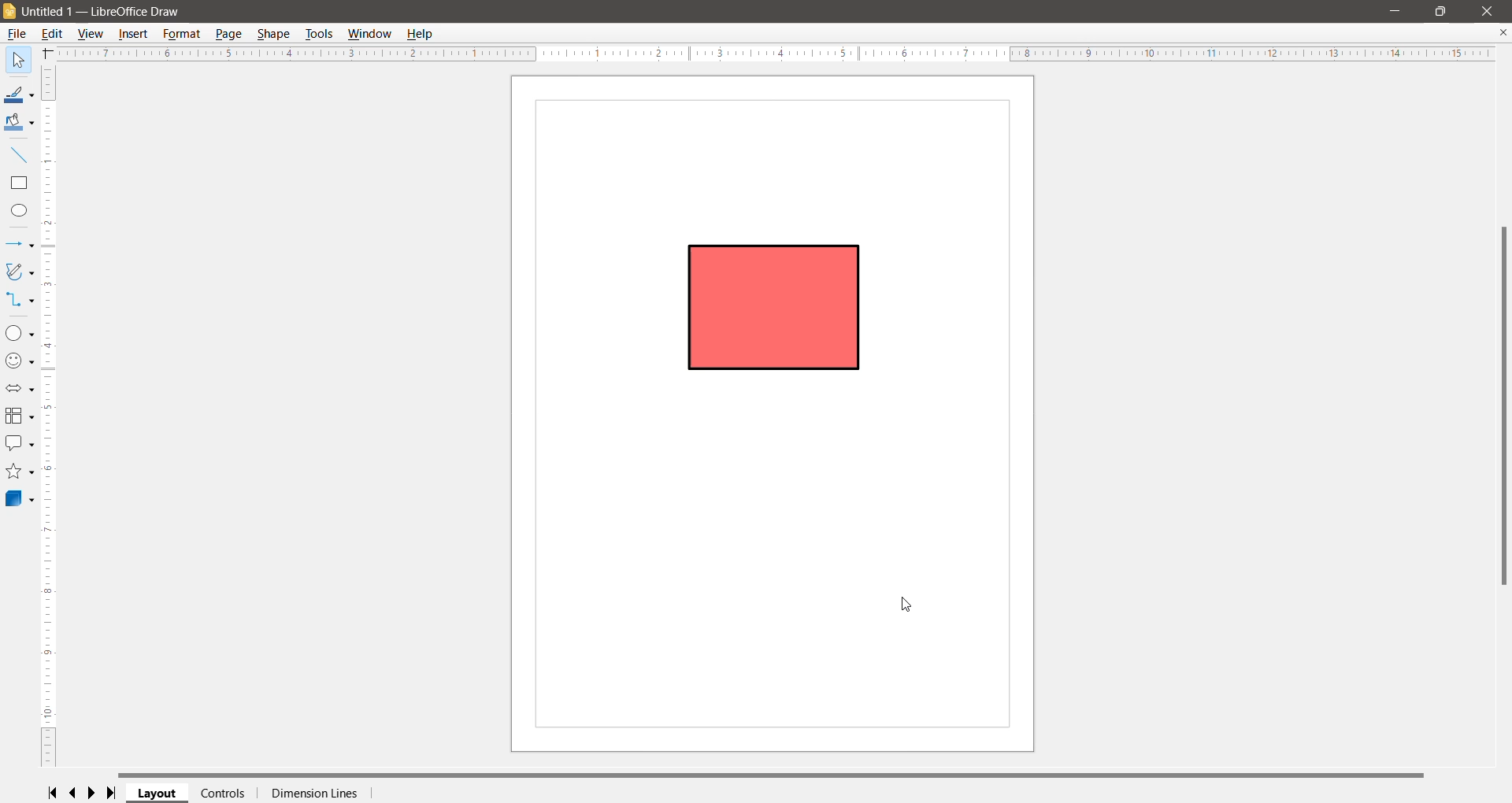 This screenshot has height=803, width=1512. I want to click on Stars and Banners, so click(19, 472).